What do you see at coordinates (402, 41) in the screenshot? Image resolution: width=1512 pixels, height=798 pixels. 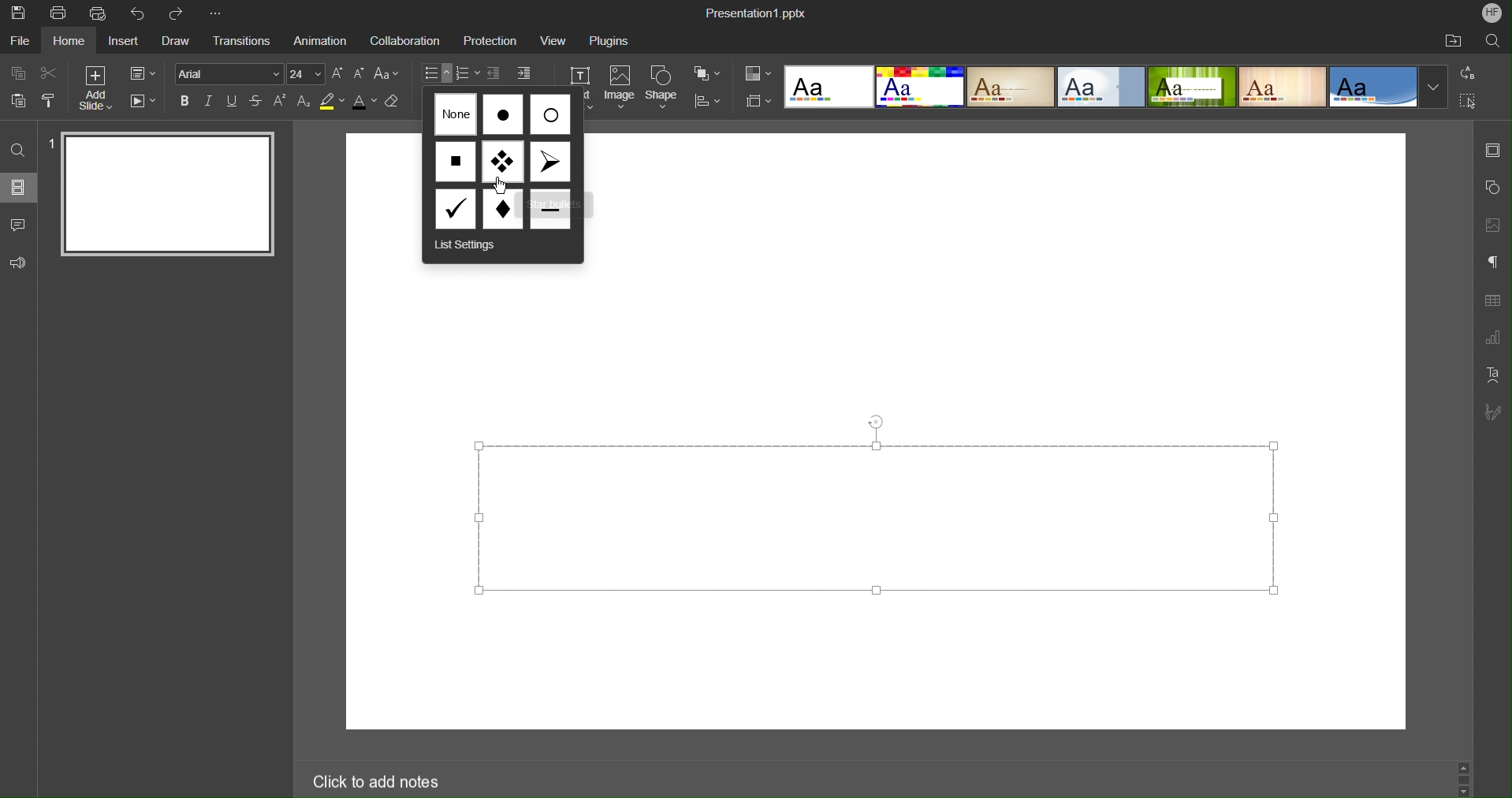 I see `Collaboration` at bounding box center [402, 41].